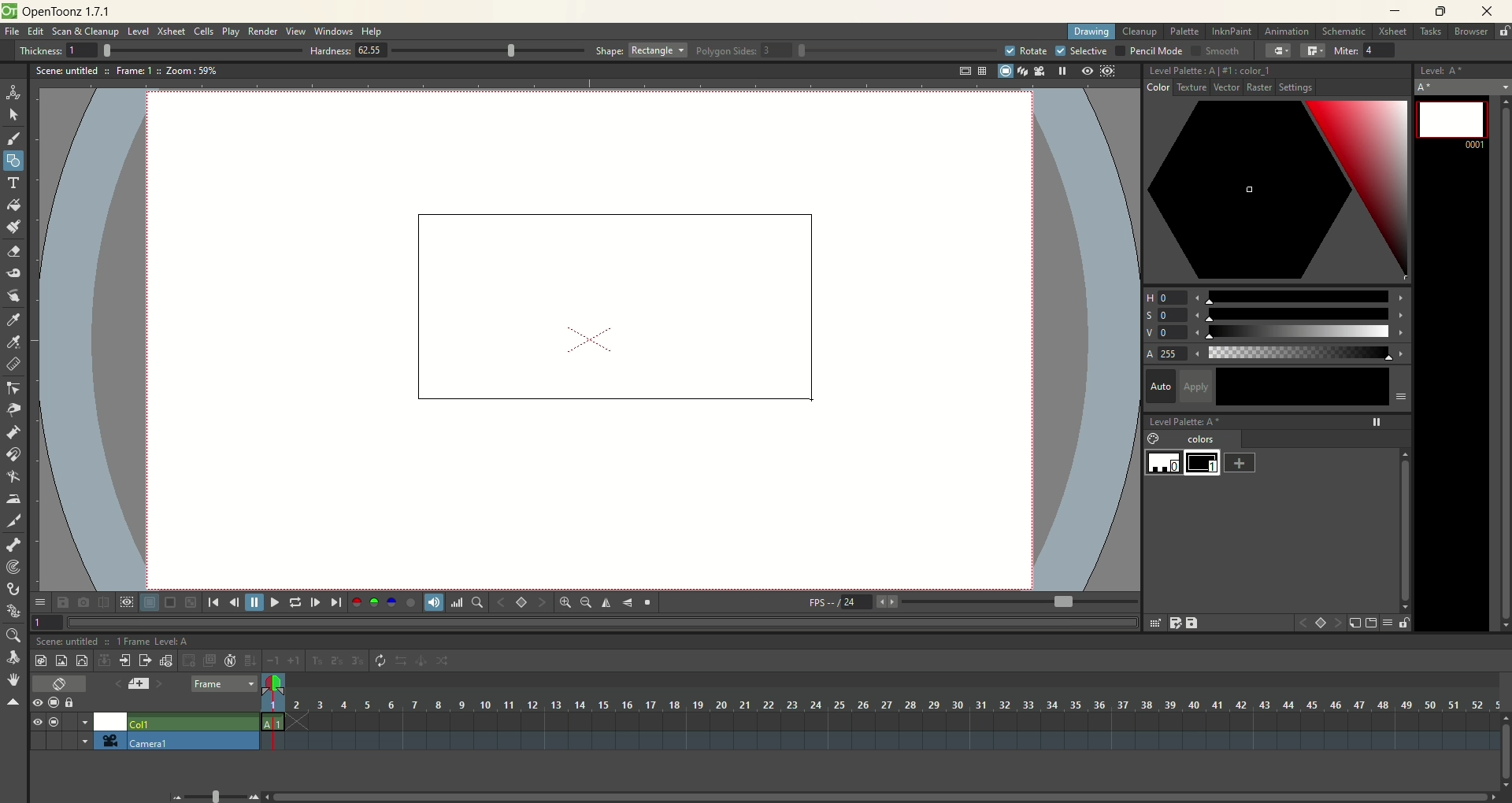  Describe the element at coordinates (1154, 623) in the screenshot. I see `delete` at that location.